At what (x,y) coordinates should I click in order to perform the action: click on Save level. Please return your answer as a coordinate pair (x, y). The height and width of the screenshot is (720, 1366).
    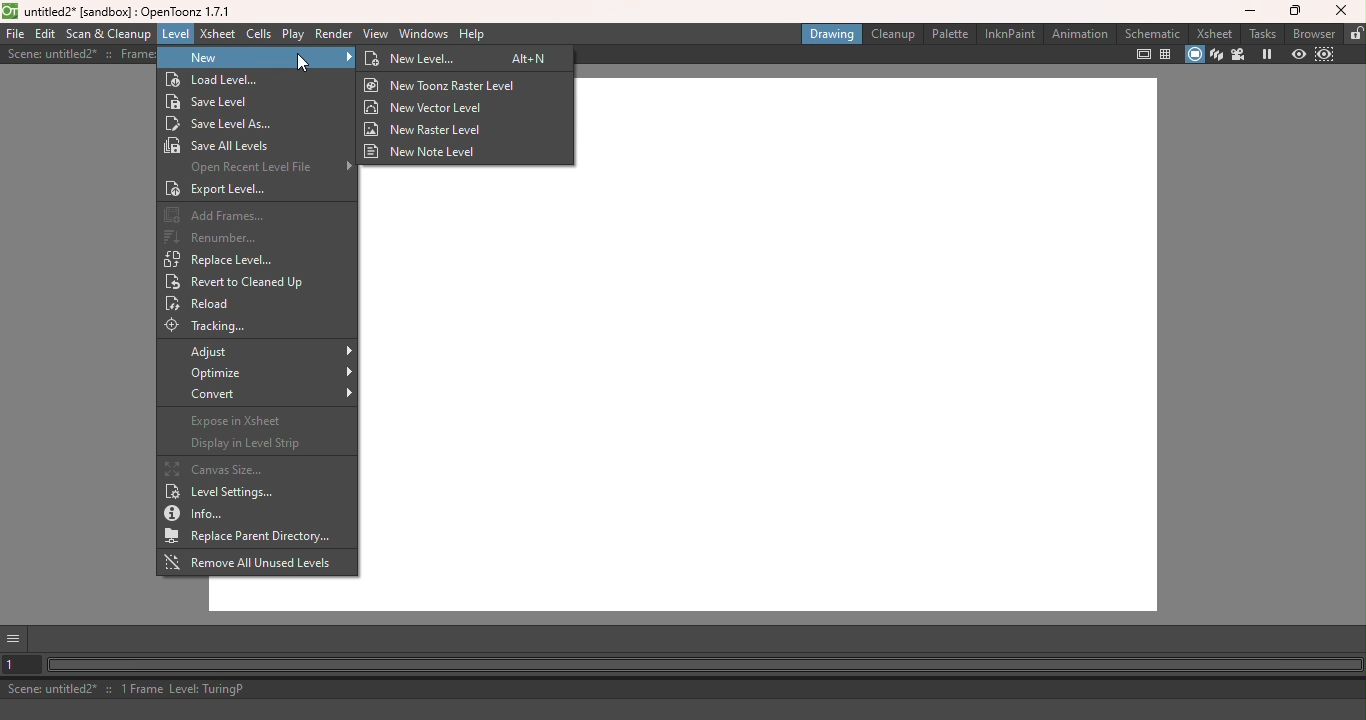
    Looking at the image, I should click on (220, 102).